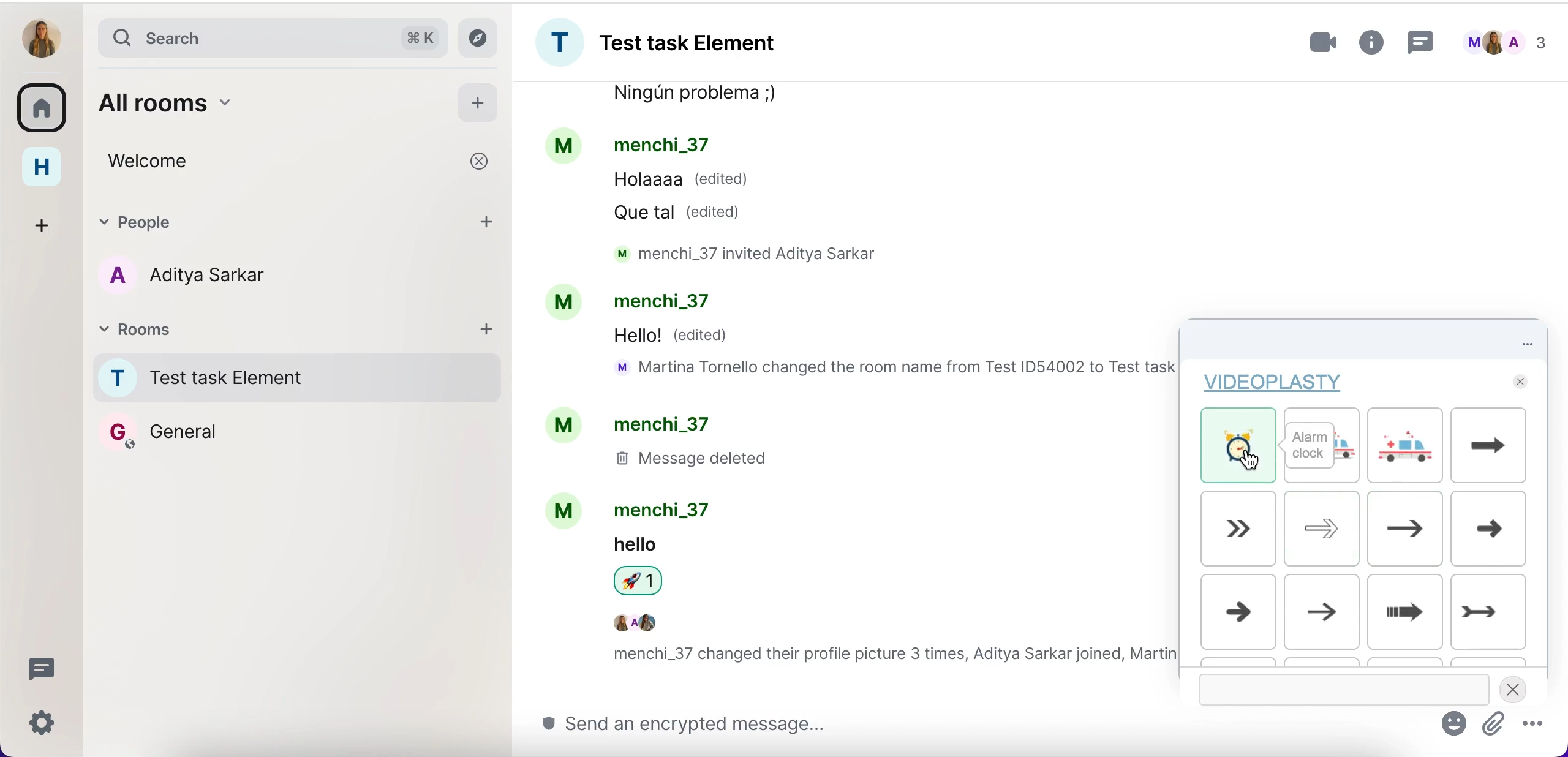 The height and width of the screenshot is (757, 1568). I want to click on gif4, so click(1491, 446).